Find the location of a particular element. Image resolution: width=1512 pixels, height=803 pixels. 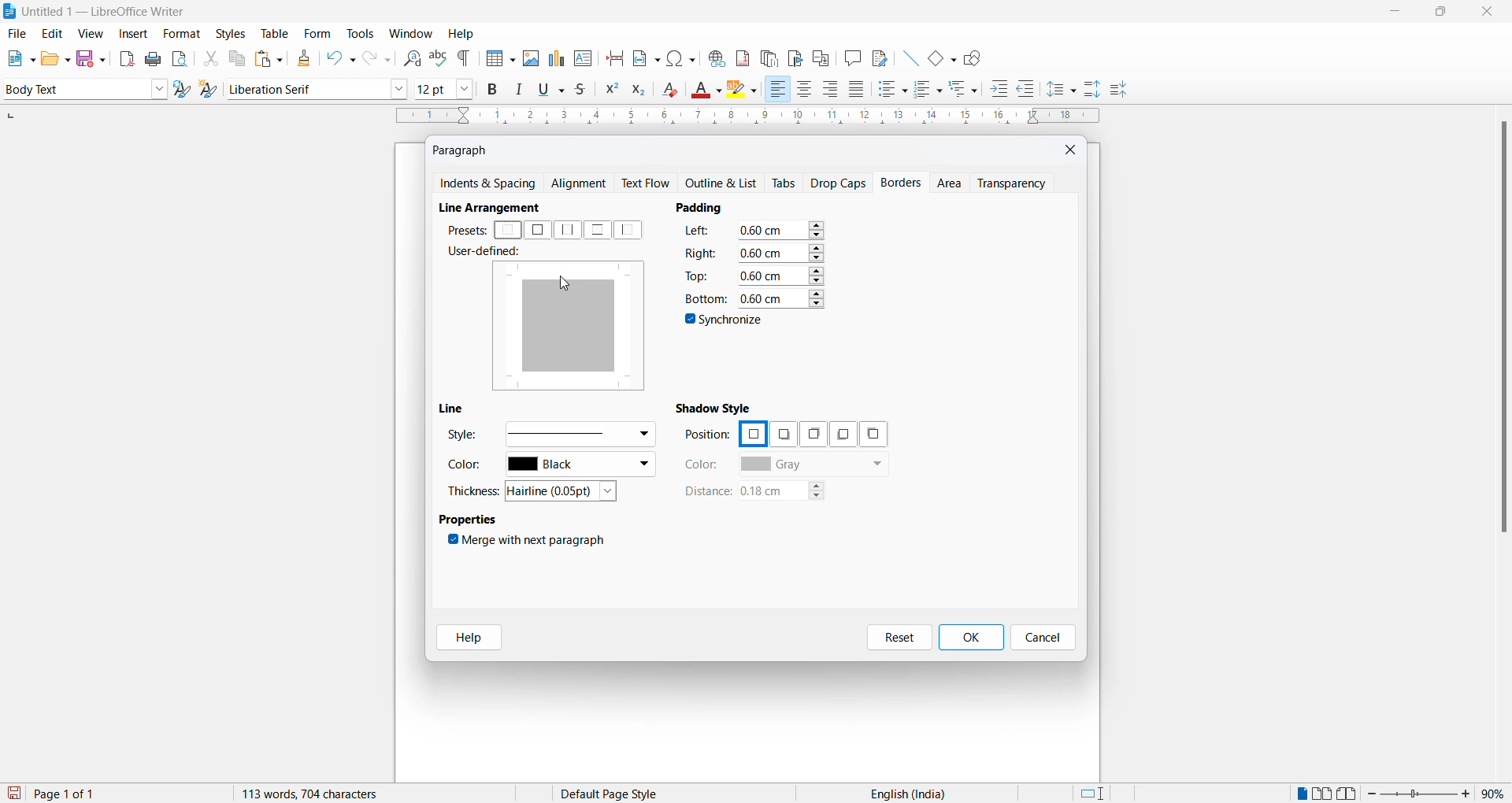

position options is located at coordinates (839, 435).